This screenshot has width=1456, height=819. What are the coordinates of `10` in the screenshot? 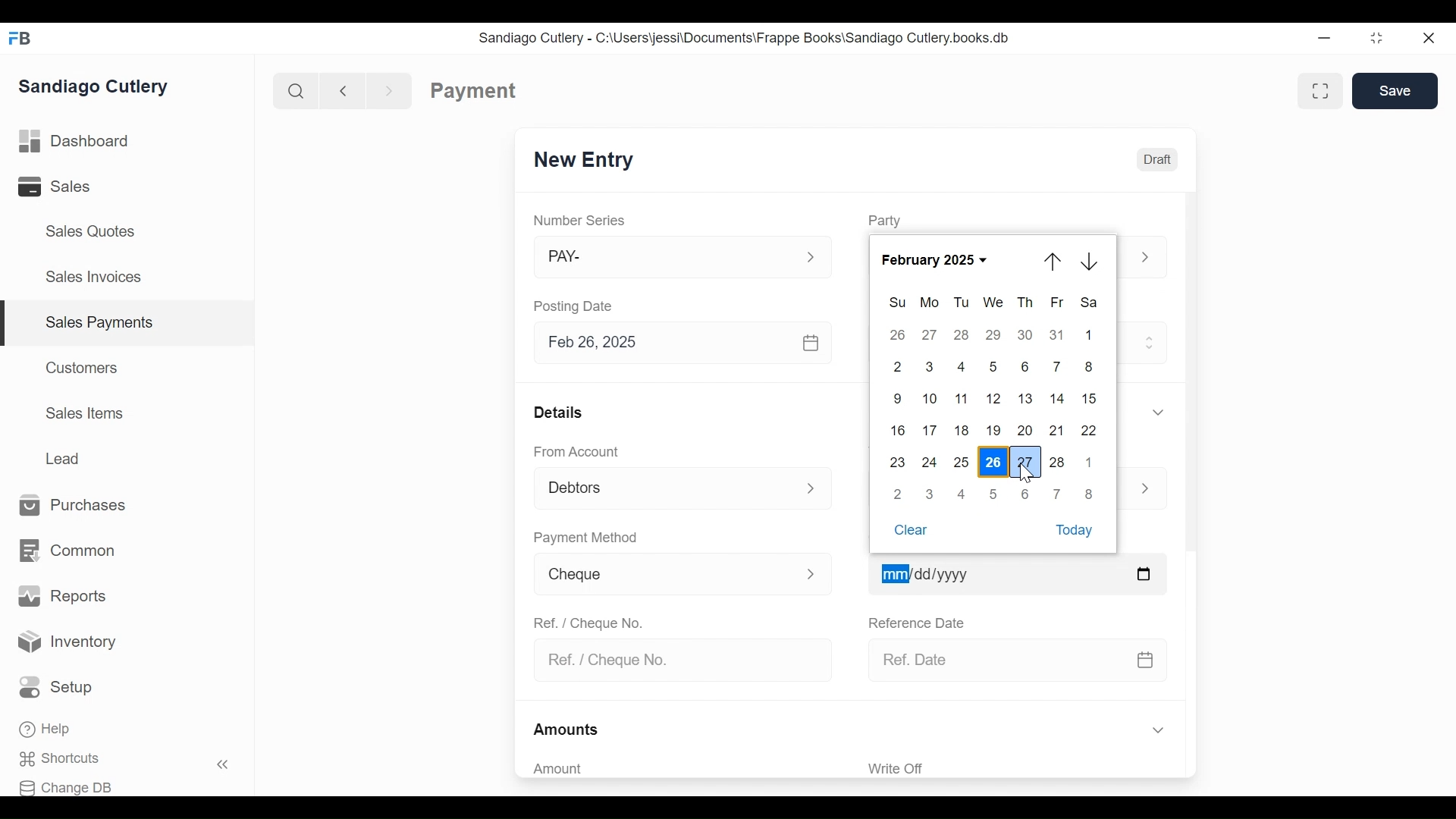 It's located at (930, 398).